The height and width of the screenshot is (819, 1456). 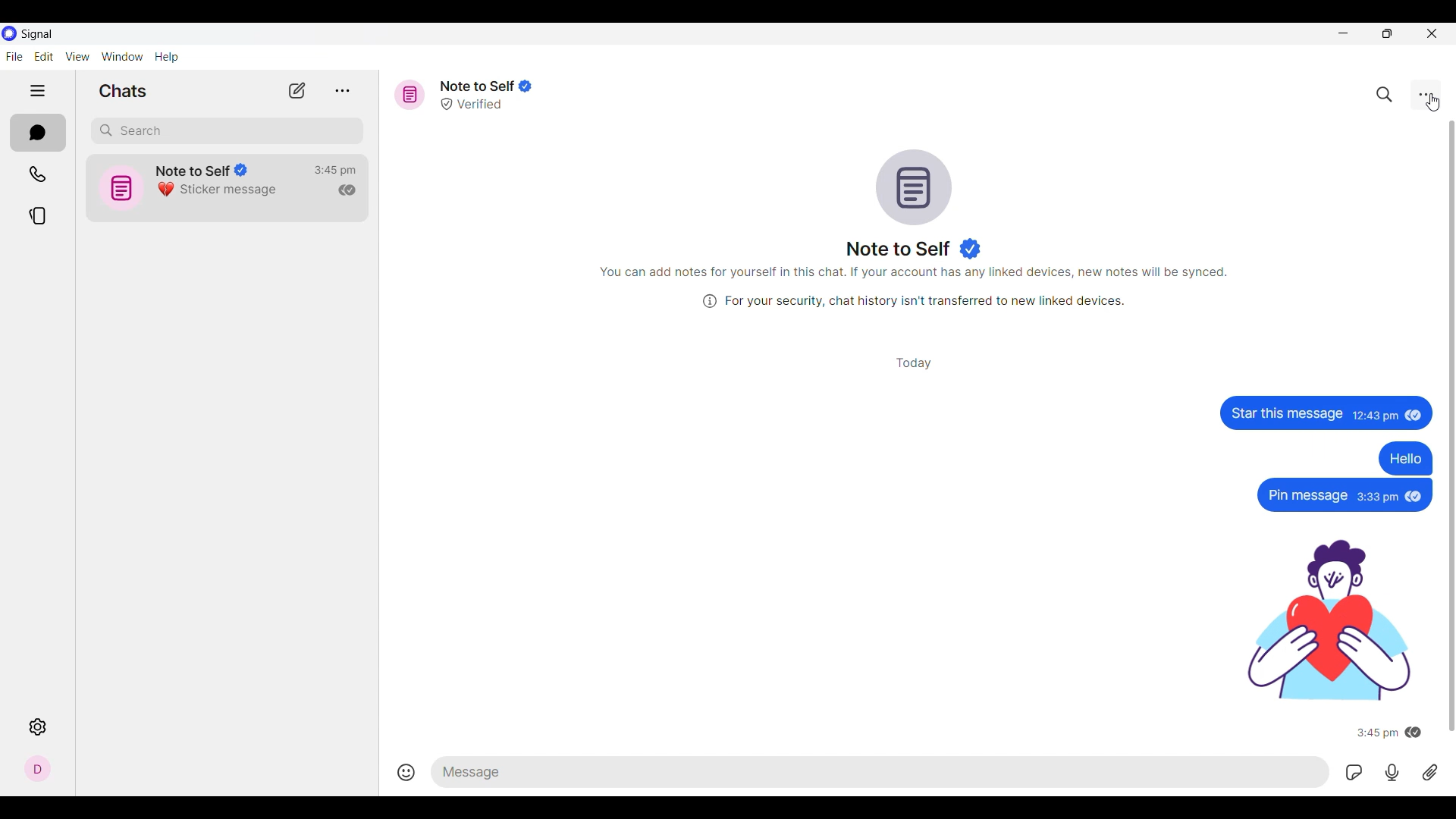 I want to click on Name of message reciever, so click(x=893, y=246).